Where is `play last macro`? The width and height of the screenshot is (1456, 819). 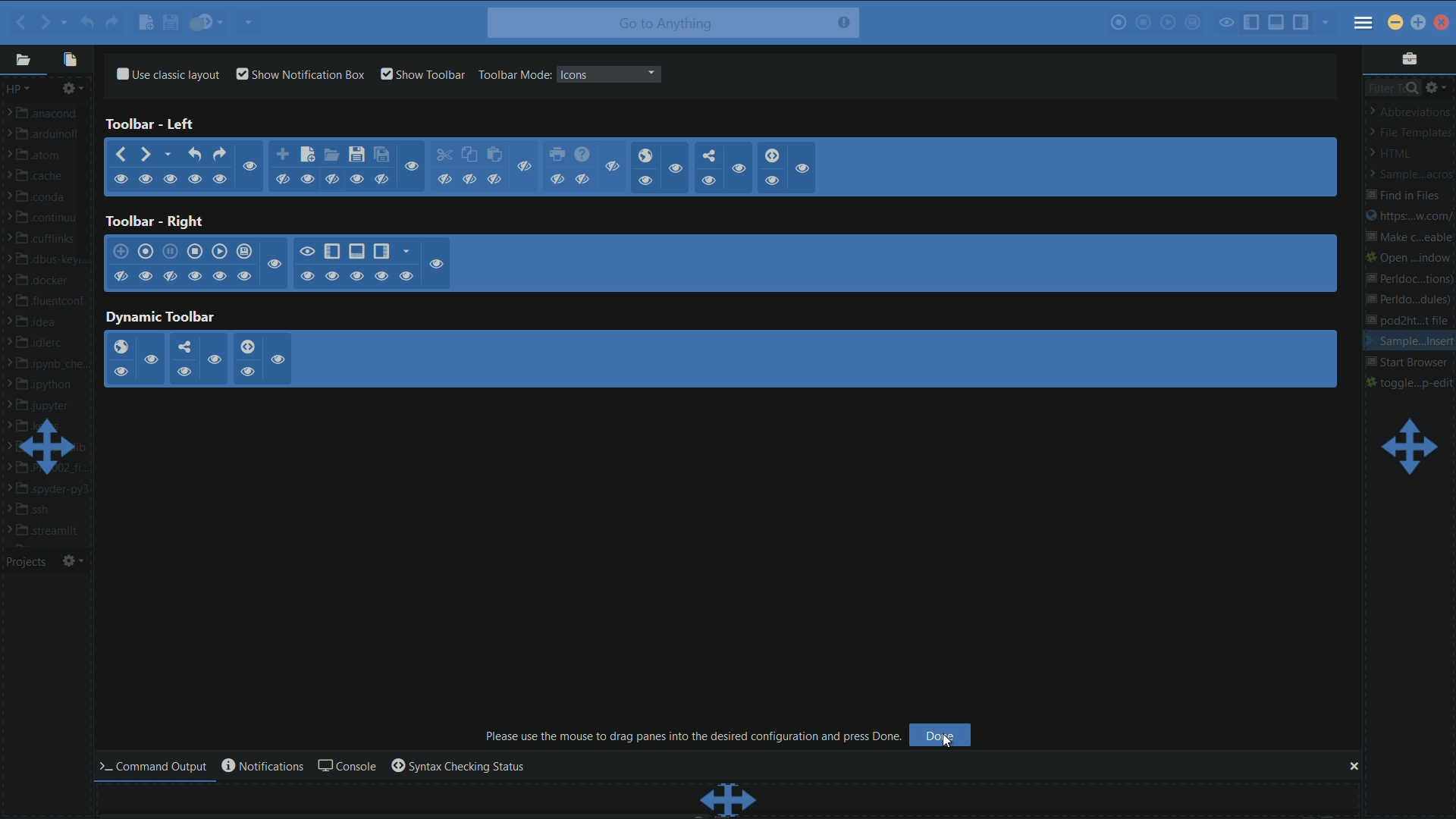 play last macro is located at coordinates (1168, 23).